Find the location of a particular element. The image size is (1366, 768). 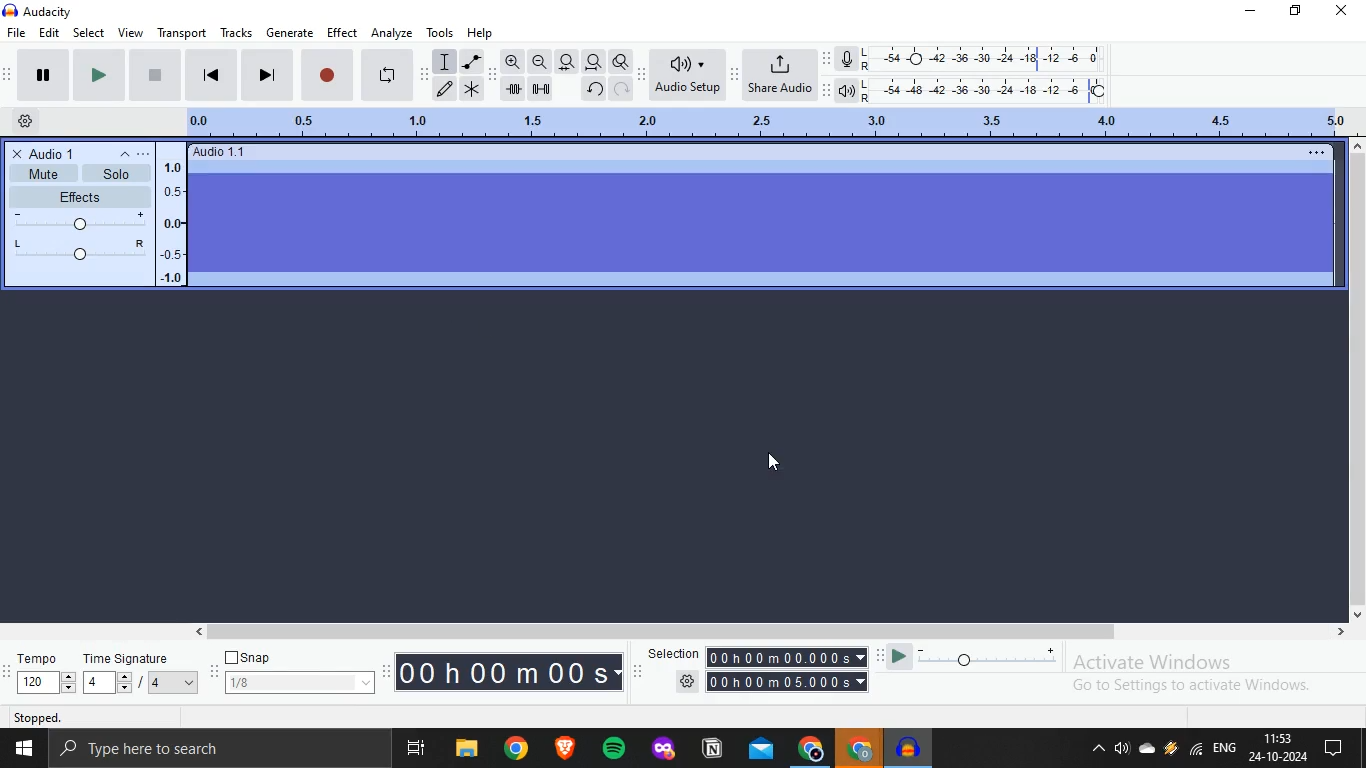

Notion is located at coordinates (712, 753).